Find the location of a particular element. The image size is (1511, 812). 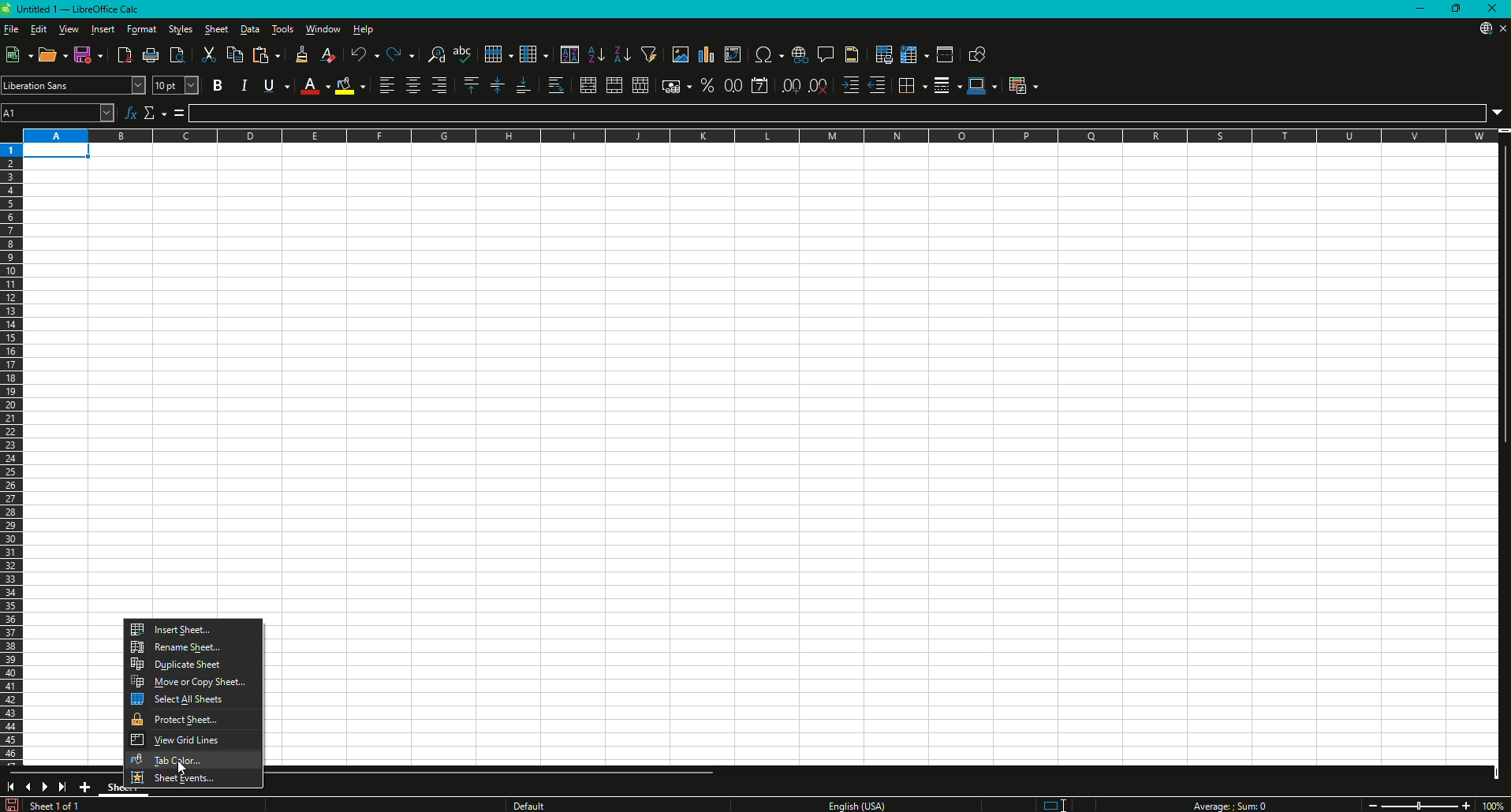

Paste is located at coordinates (267, 54).